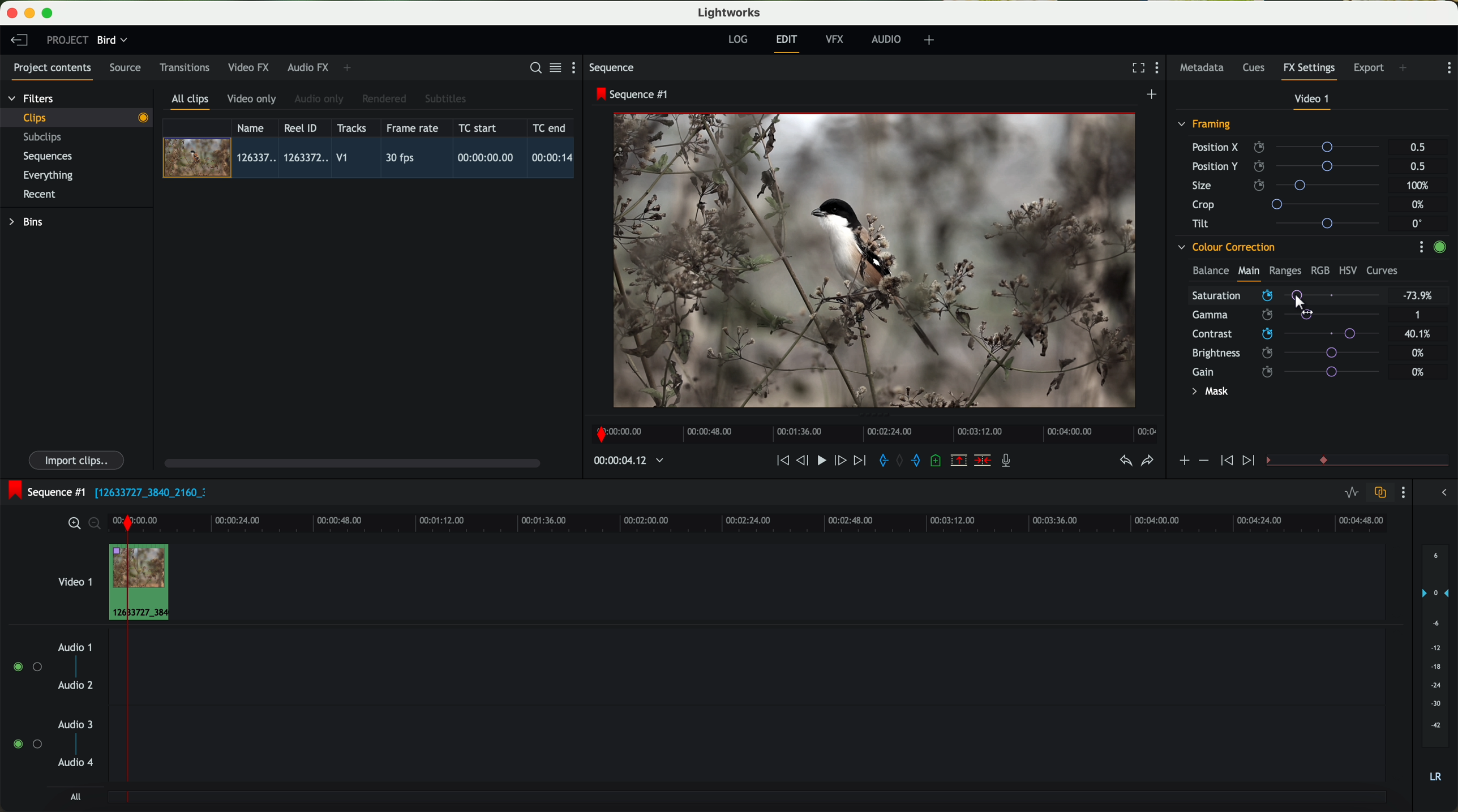 Image resolution: width=1458 pixels, height=812 pixels. What do you see at coordinates (1418, 372) in the screenshot?
I see `0%` at bounding box center [1418, 372].